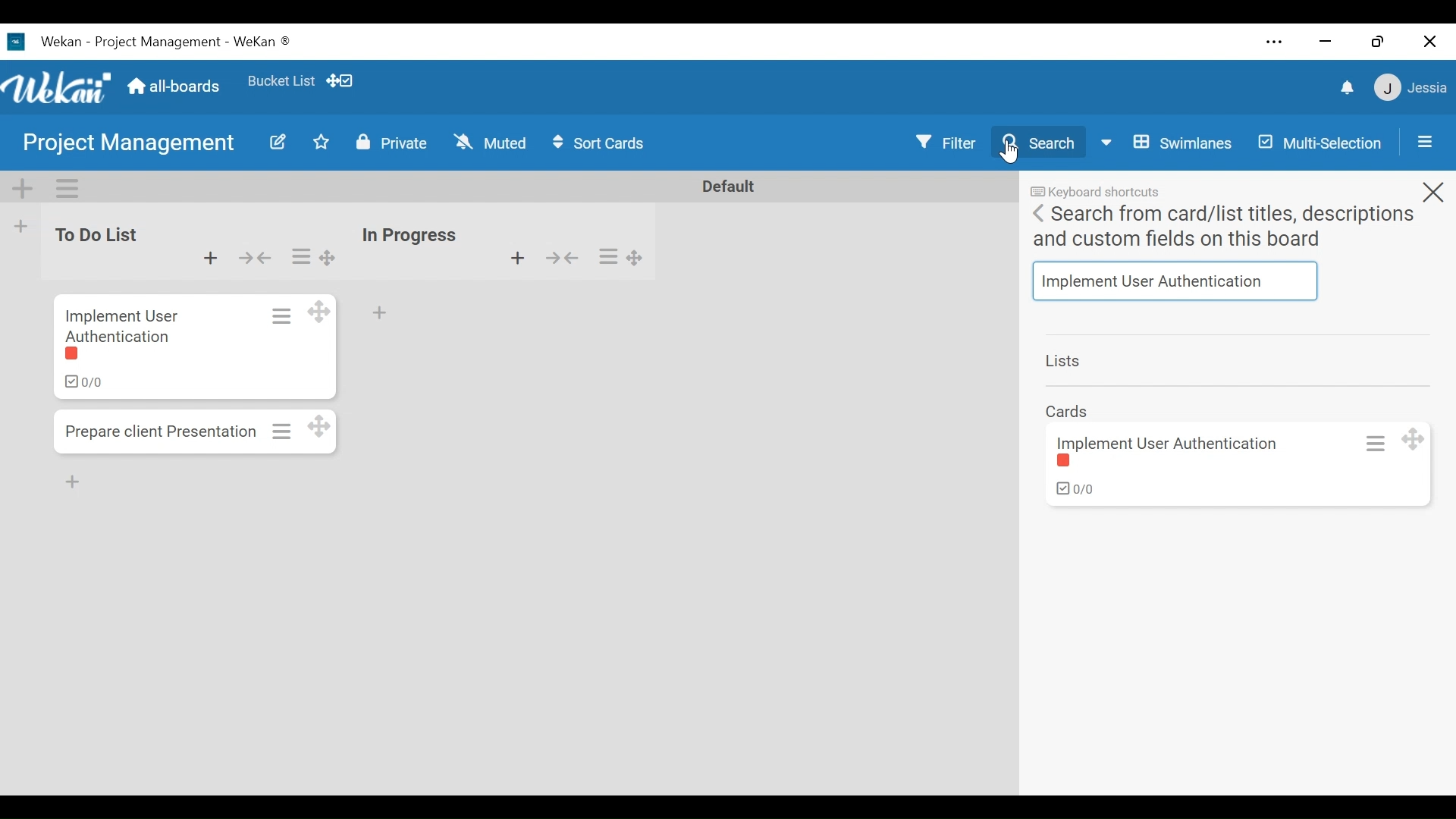 The width and height of the screenshot is (1456, 819). Describe the element at coordinates (1176, 281) in the screenshot. I see ` Implement User Authentication` at that location.